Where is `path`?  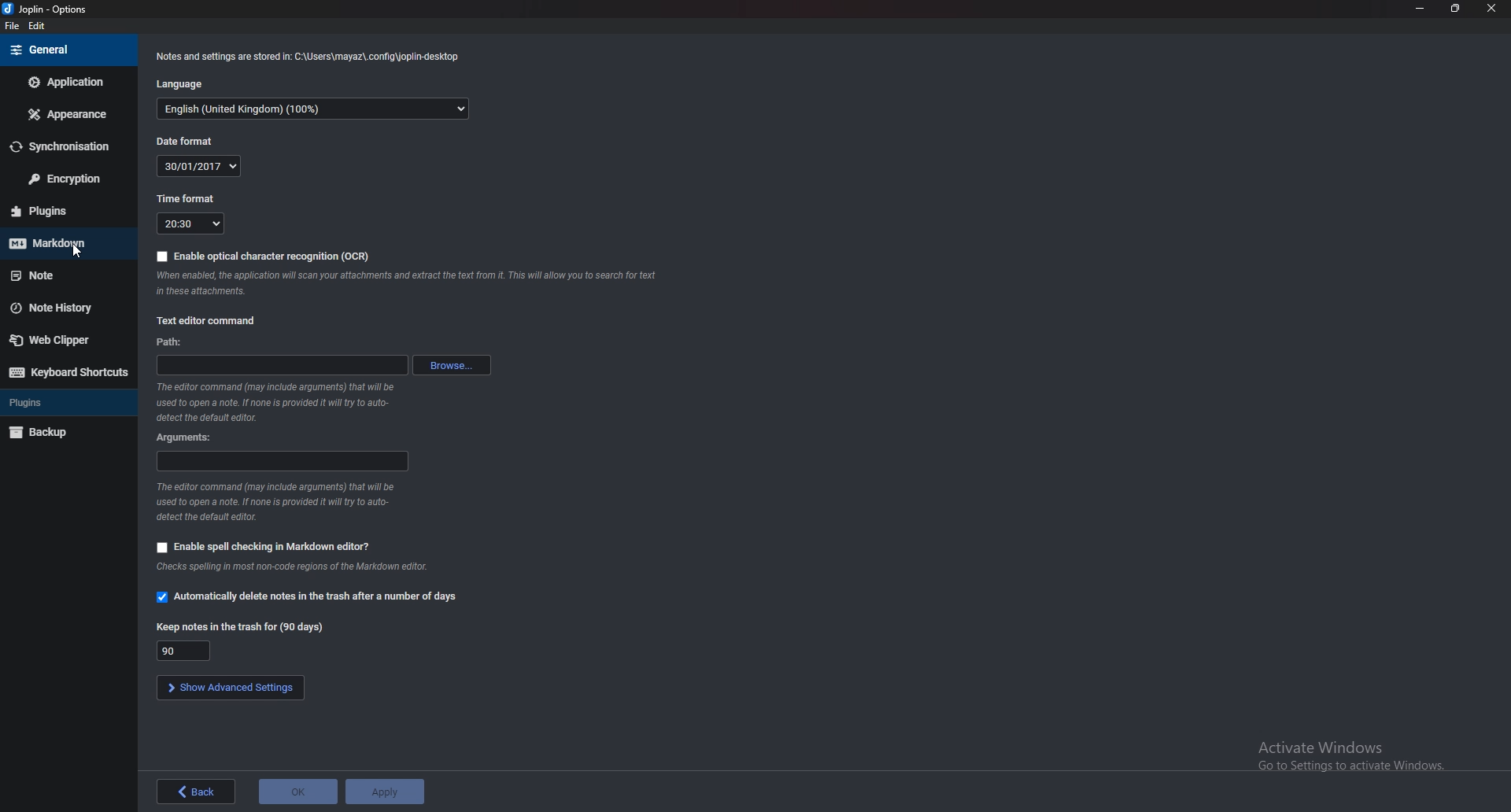 path is located at coordinates (282, 365).